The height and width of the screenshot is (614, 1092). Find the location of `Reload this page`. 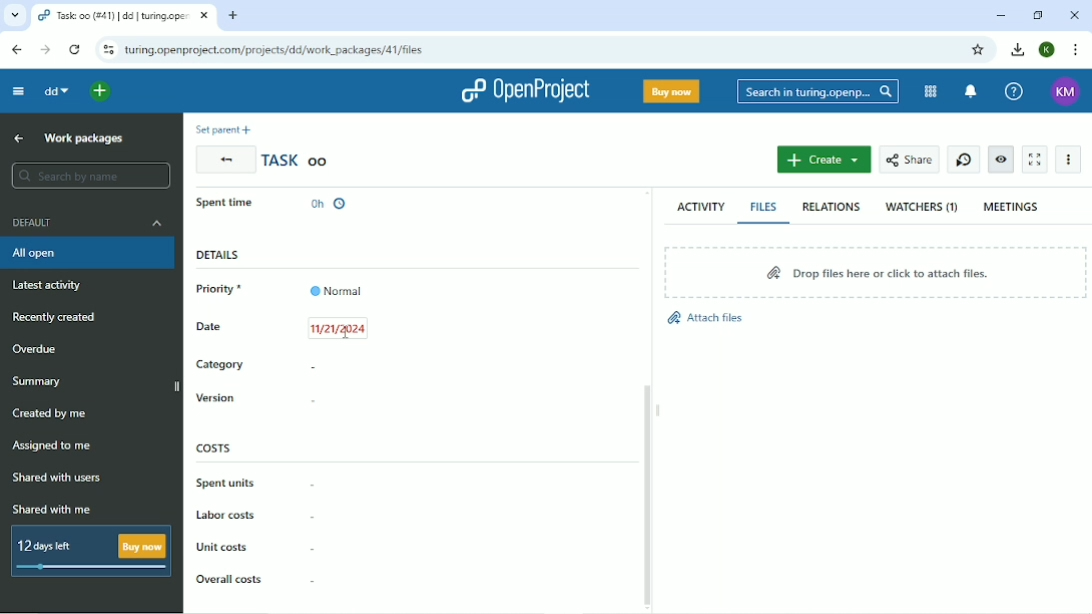

Reload this page is located at coordinates (74, 50).